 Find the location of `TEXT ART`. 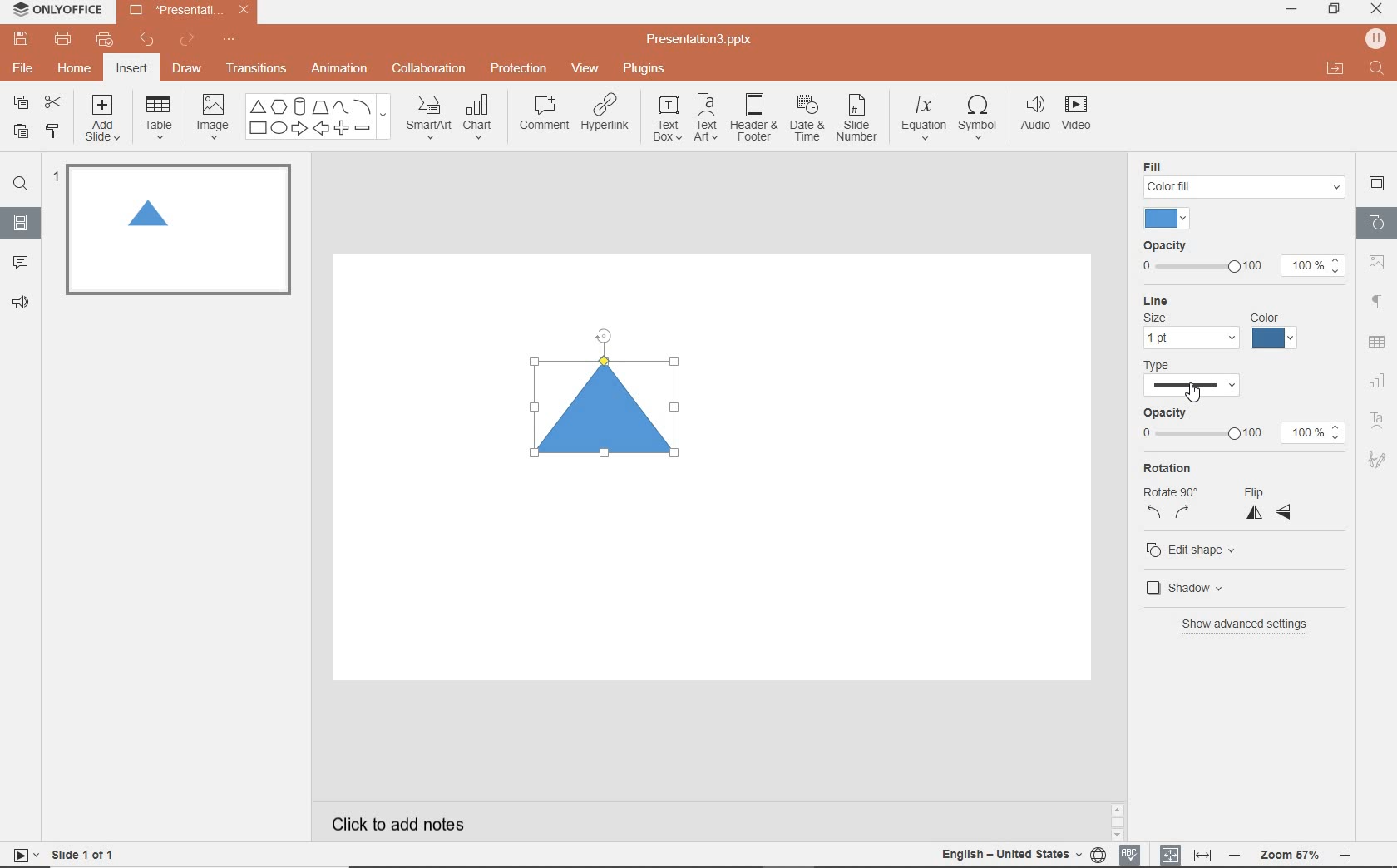

TEXT ART is located at coordinates (704, 119).